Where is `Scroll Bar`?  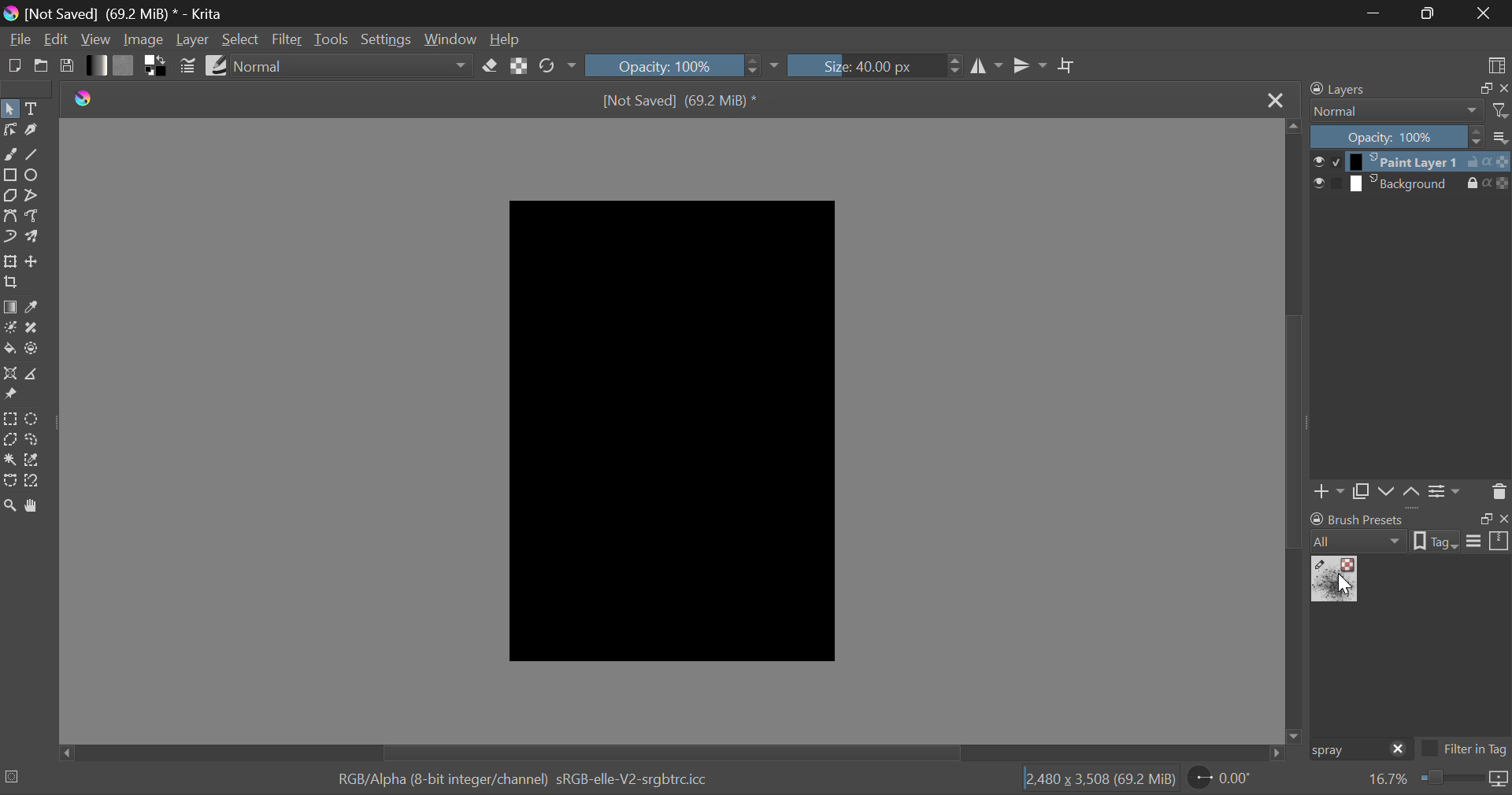
Scroll Bar is located at coordinates (1295, 429).